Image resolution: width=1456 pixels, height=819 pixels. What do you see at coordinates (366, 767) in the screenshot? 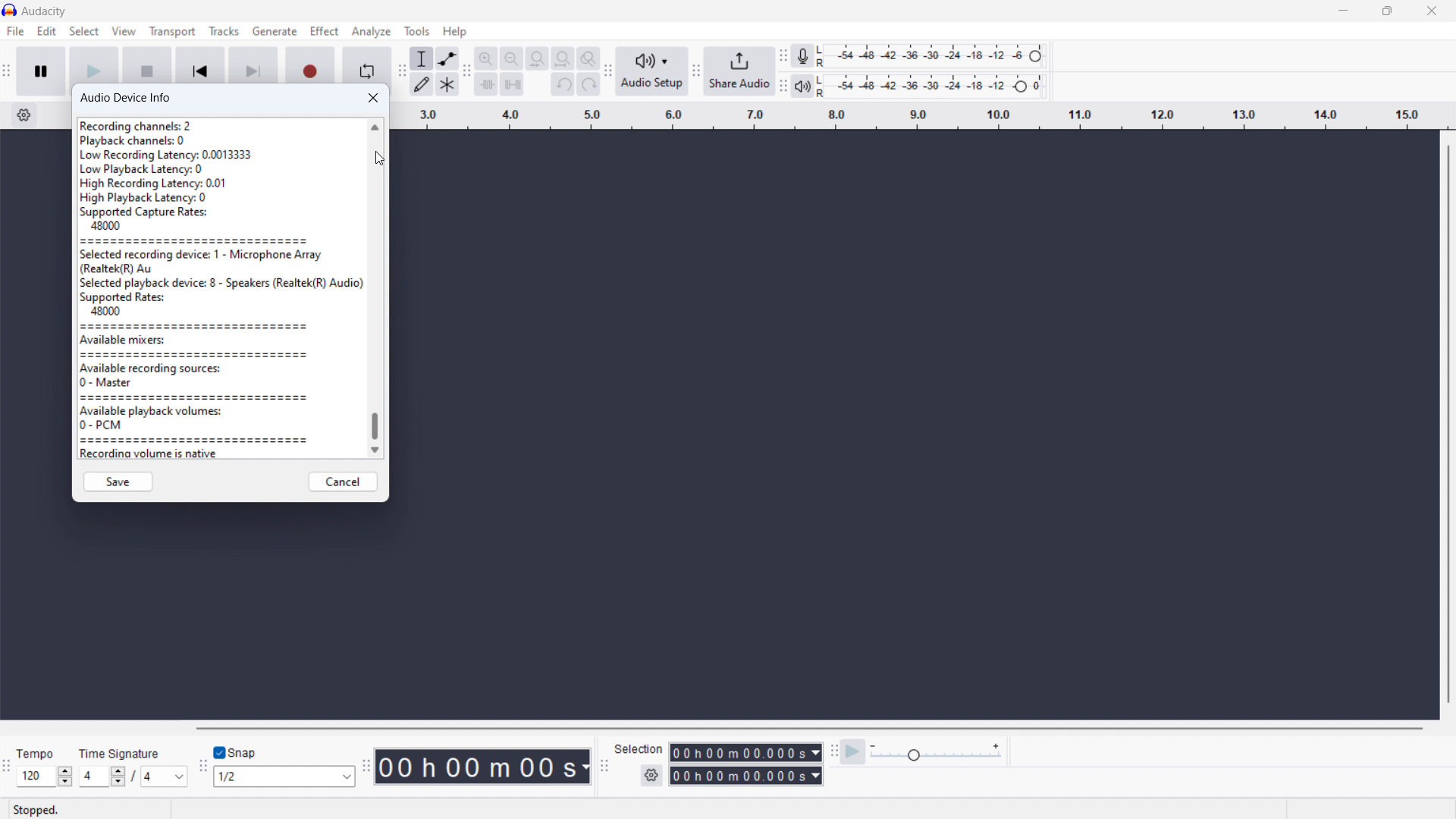
I see `time toolbar` at bounding box center [366, 767].